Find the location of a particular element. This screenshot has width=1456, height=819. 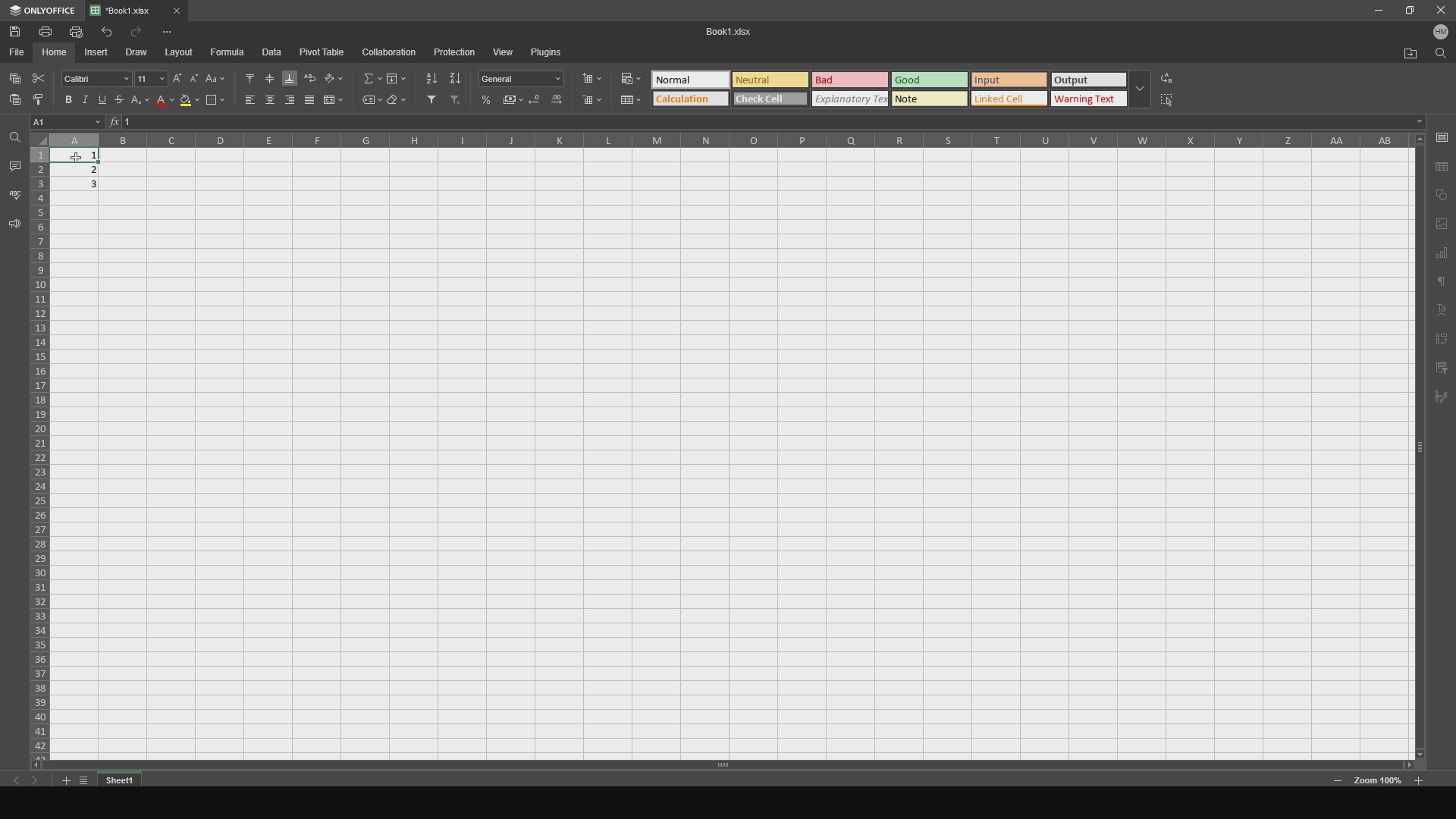

data is located at coordinates (277, 52).